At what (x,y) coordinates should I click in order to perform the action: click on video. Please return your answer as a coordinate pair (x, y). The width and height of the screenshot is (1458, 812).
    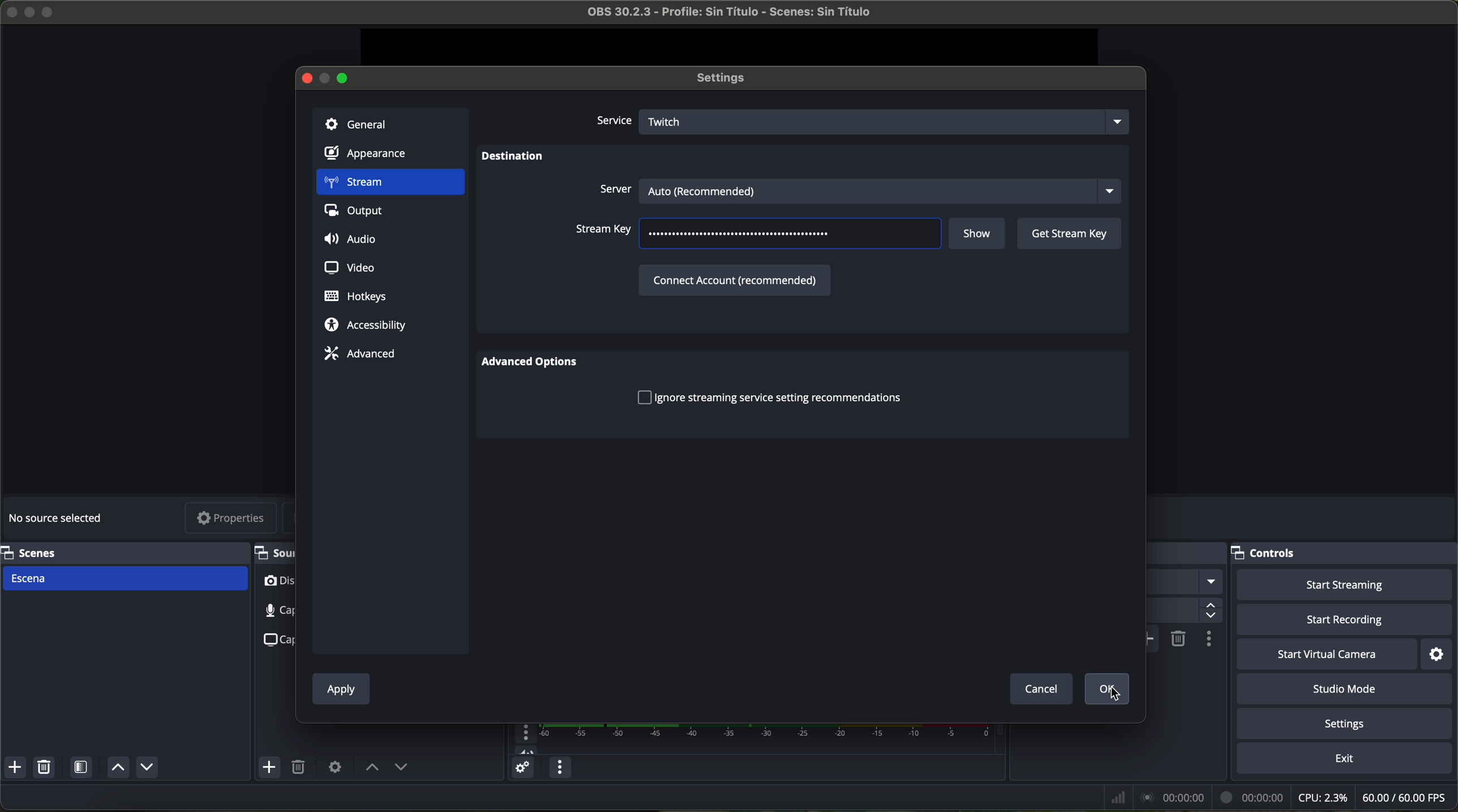
    Looking at the image, I should click on (348, 266).